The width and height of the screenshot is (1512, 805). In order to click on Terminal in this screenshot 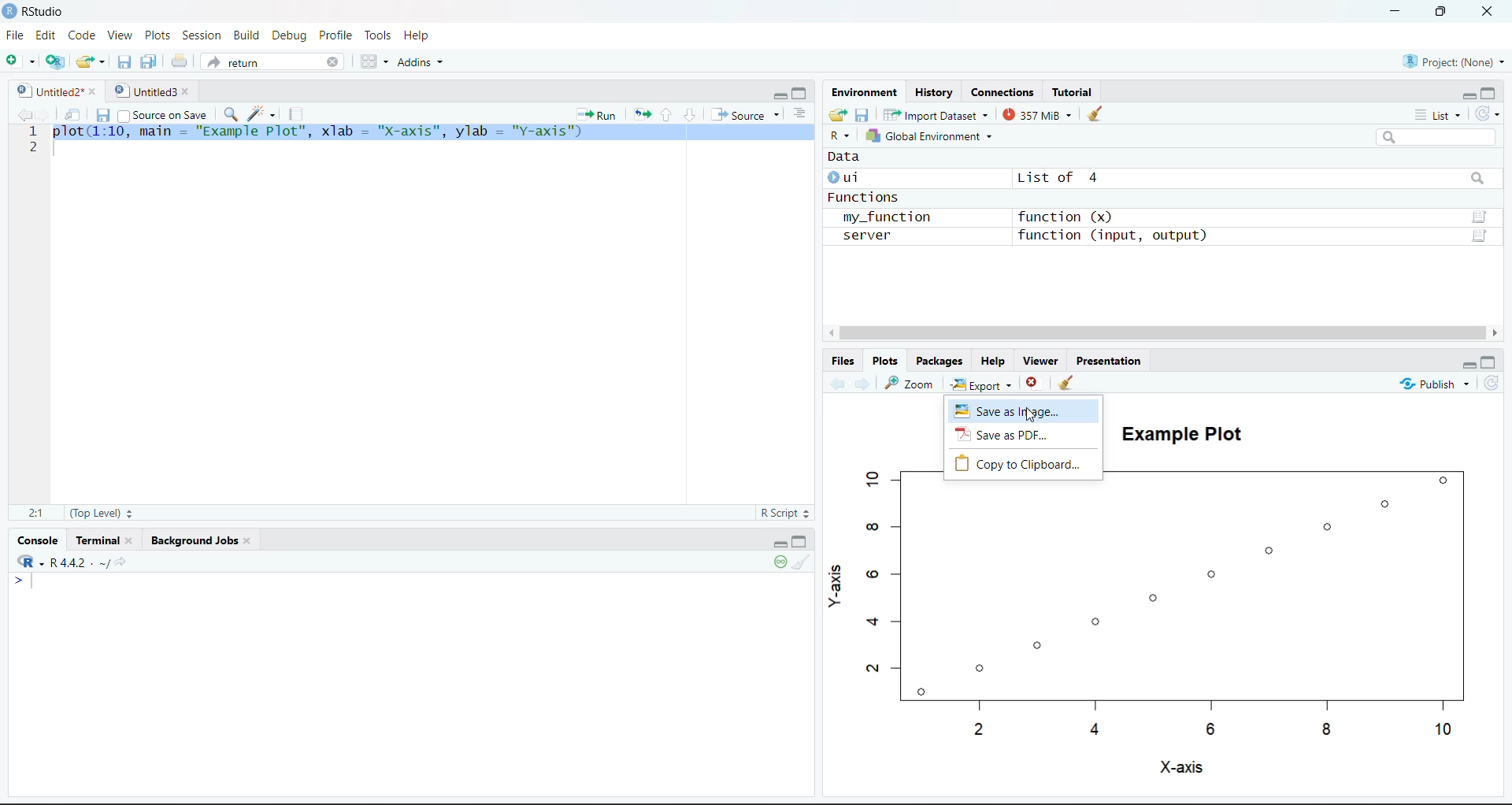, I will do `click(106, 540)`.